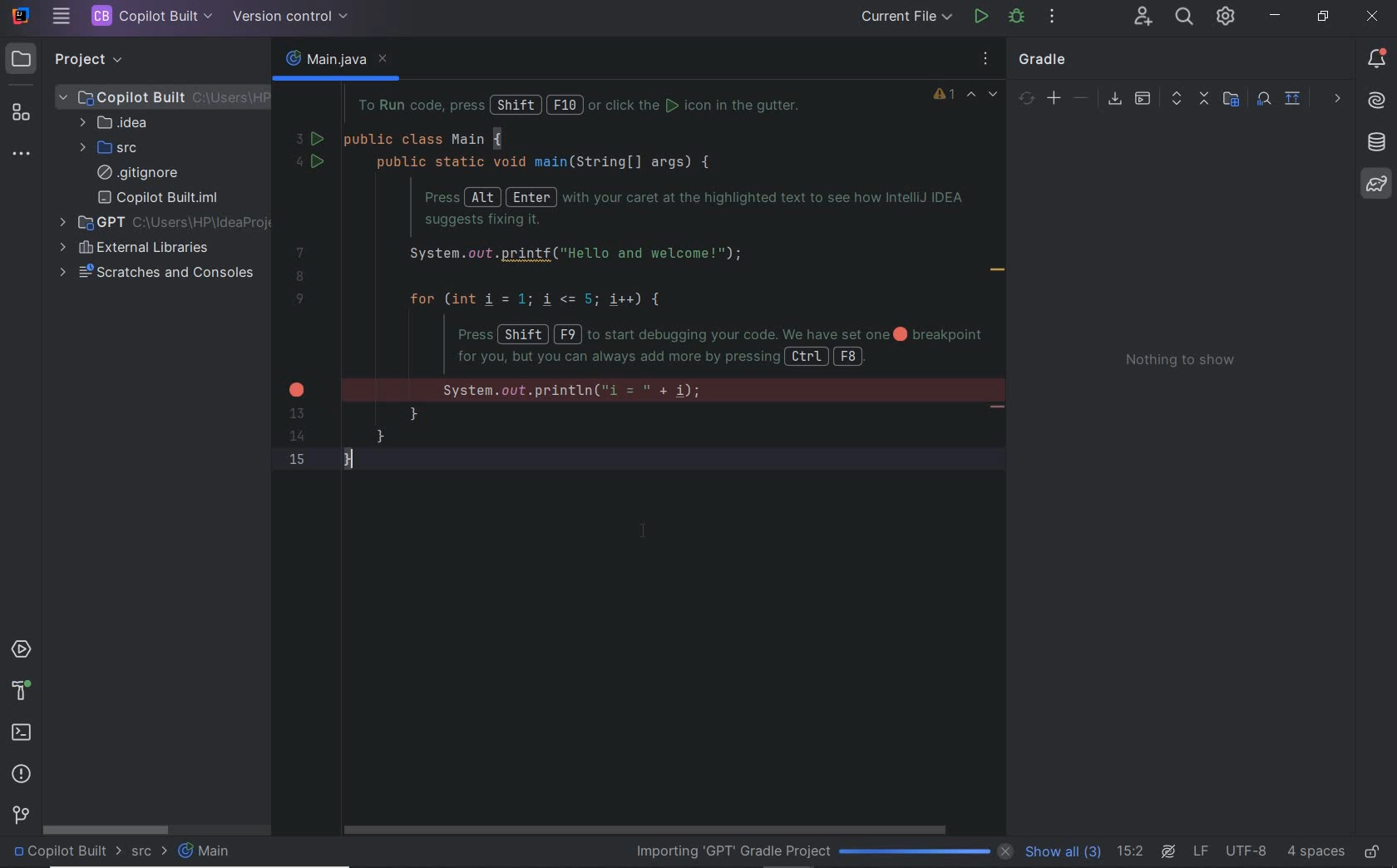 Image resolution: width=1397 pixels, height=868 pixels. What do you see at coordinates (23, 649) in the screenshot?
I see `services` at bounding box center [23, 649].